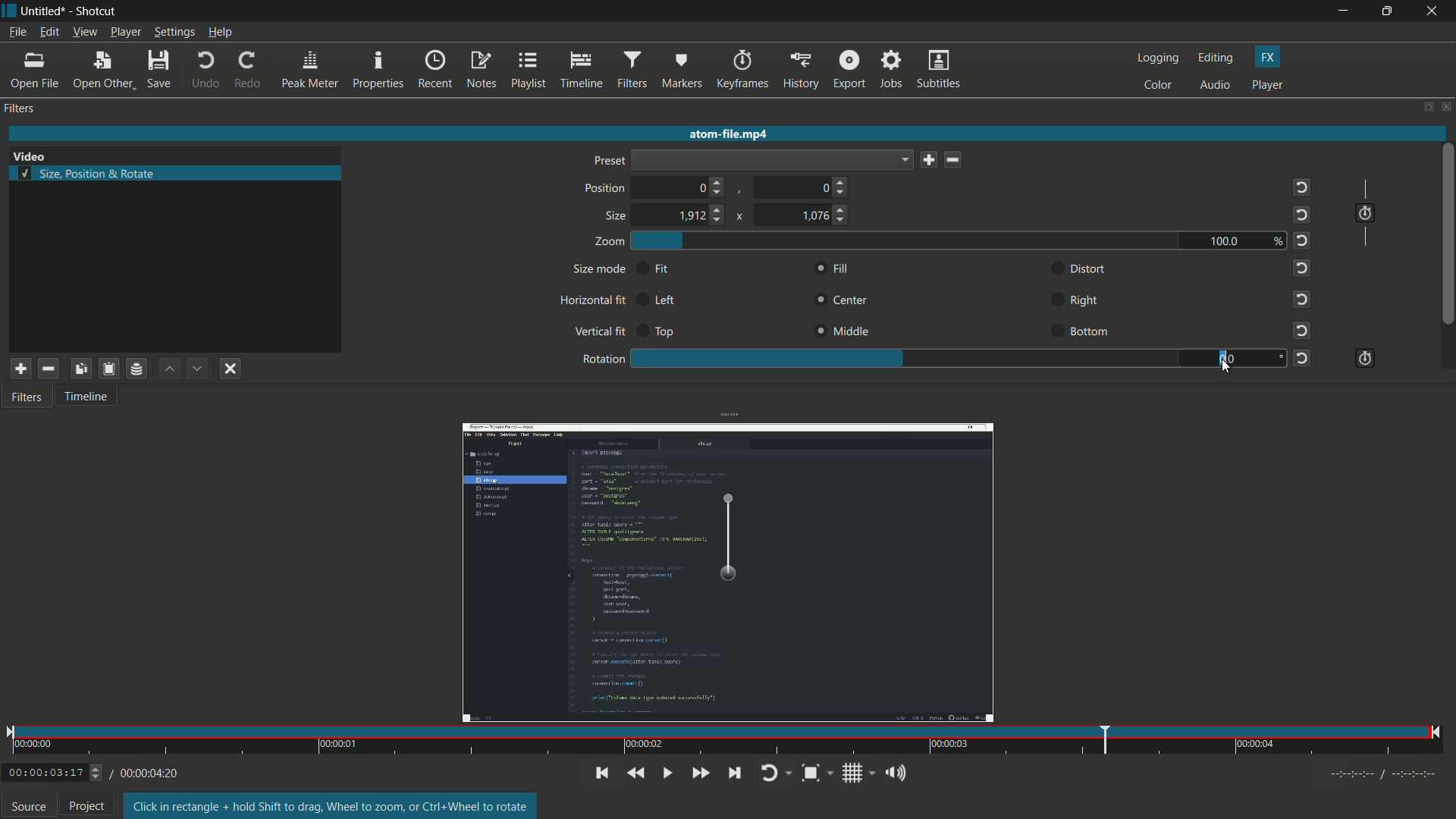 Image resolution: width=1456 pixels, height=819 pixels. Describe the element at coordinates (435, 70) in the screenshot. I see `recent` at that location.